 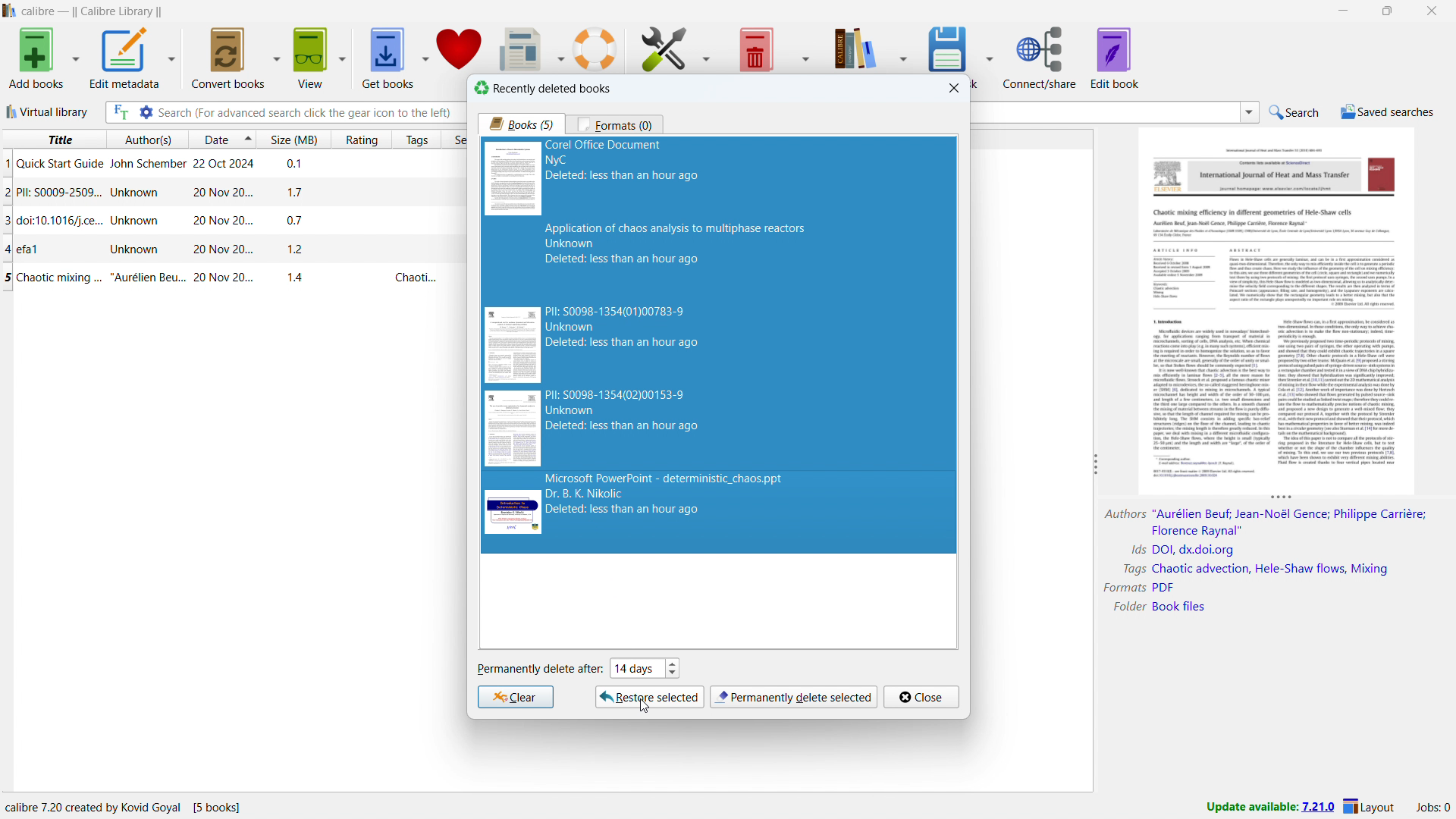 What do you see at coordinates (171, 58) in the screenshot?
I see `edit metadata options` at bounding box center [171, 58].